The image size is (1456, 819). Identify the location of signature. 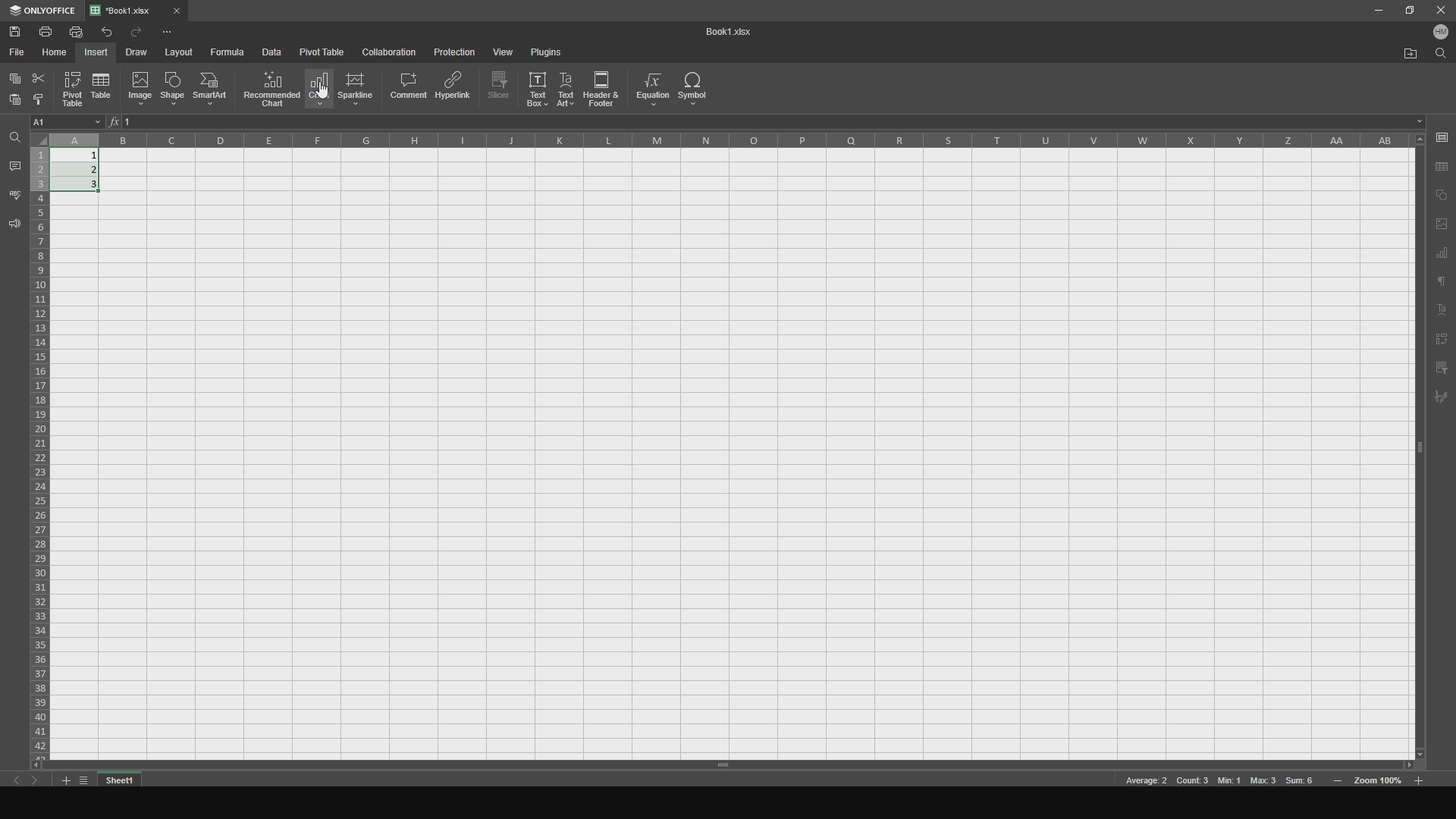
(1444, 400).